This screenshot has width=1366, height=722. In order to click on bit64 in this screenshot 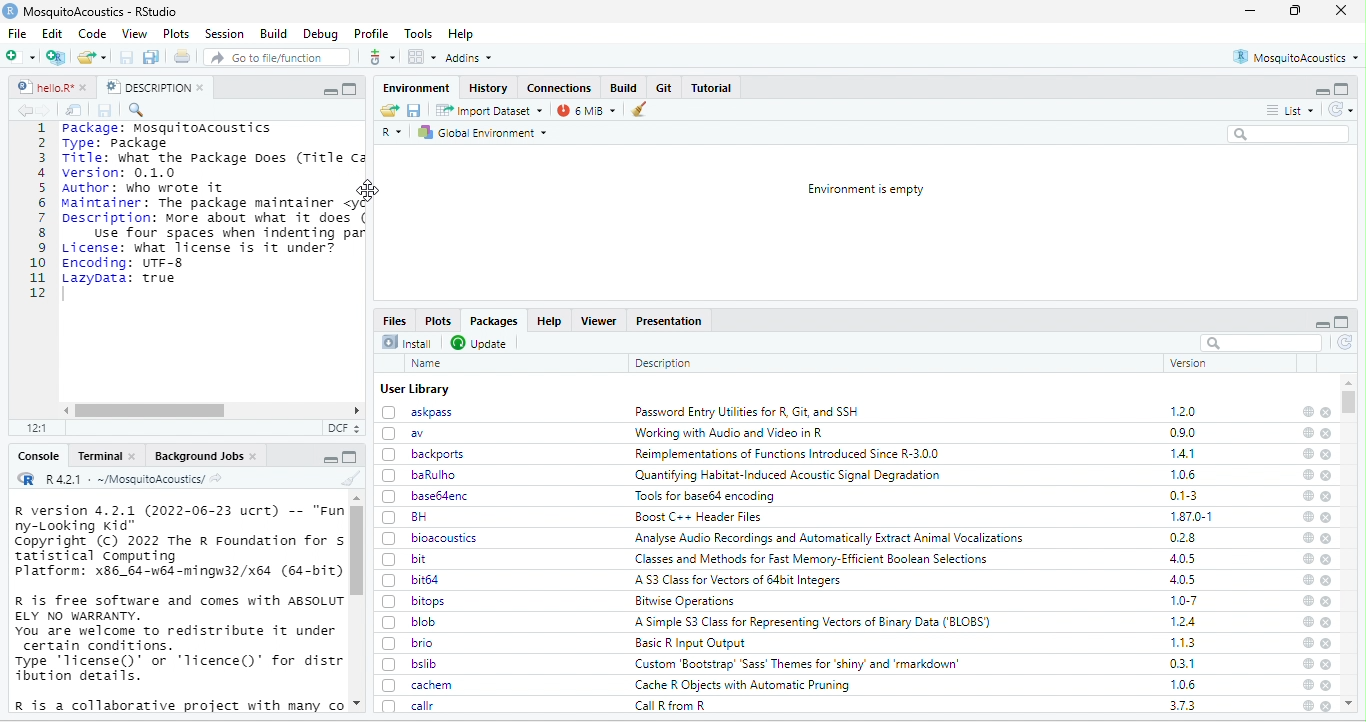, I will do `click(412, 579)`.